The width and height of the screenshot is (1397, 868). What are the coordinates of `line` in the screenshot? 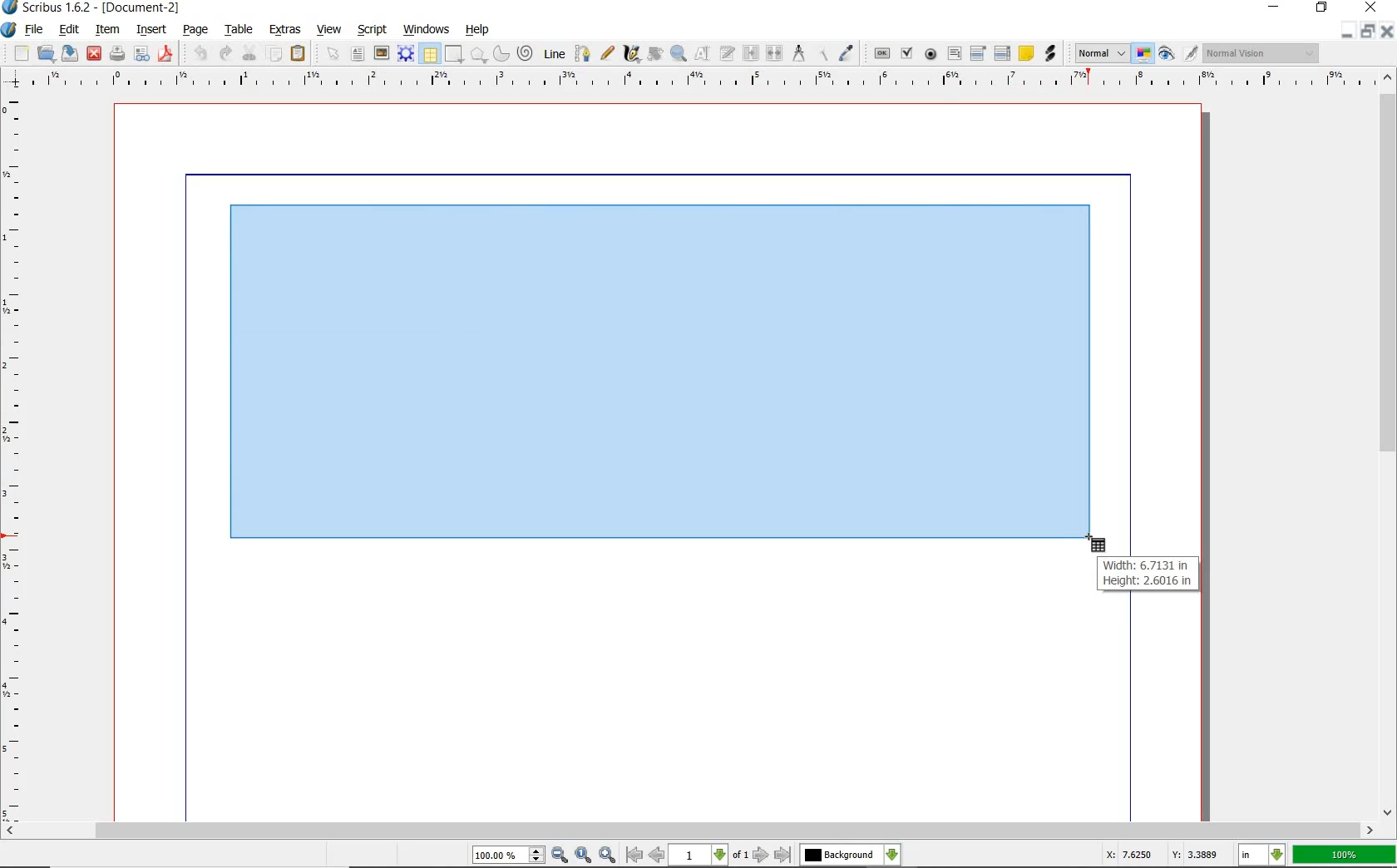 It's located at (555, 55).